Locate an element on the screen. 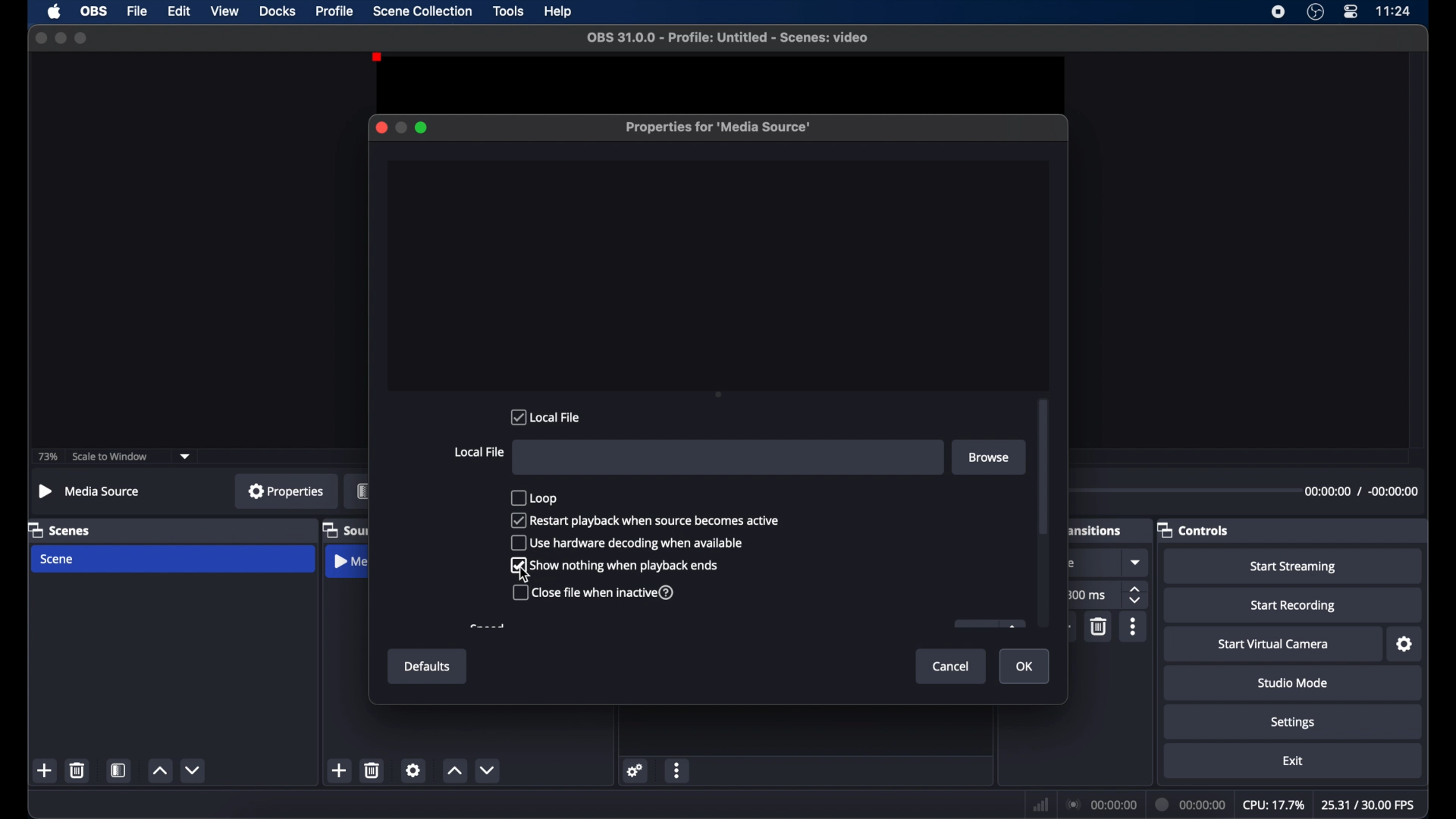  start recording is located at coordinates (1293, 606).